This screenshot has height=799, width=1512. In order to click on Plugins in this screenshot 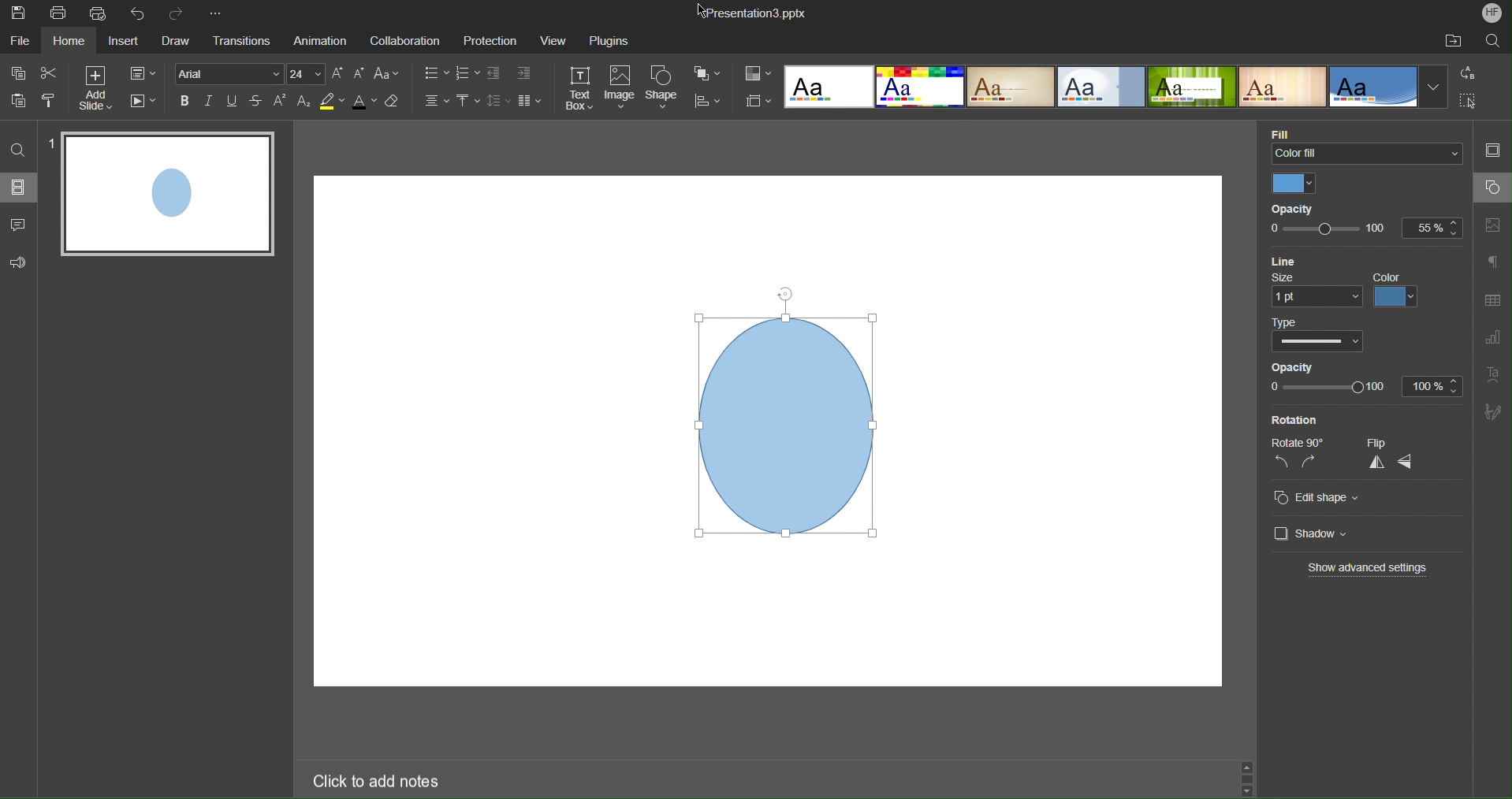, I will do `click(610, 42)`.